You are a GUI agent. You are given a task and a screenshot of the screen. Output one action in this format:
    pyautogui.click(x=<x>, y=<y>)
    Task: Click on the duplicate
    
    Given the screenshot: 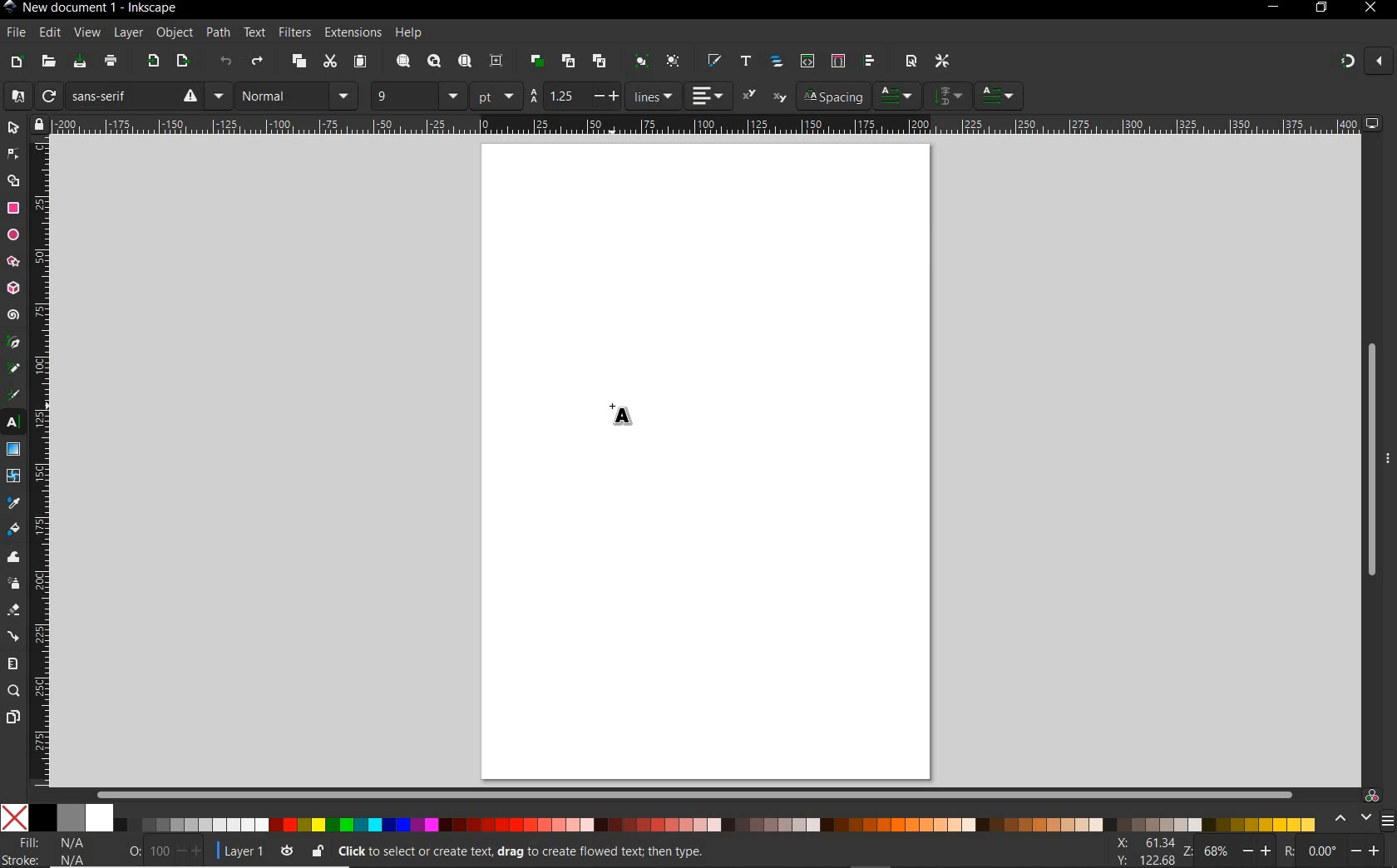 What is the action you would take?
    pyautogui.click(x=537, y=58)
    